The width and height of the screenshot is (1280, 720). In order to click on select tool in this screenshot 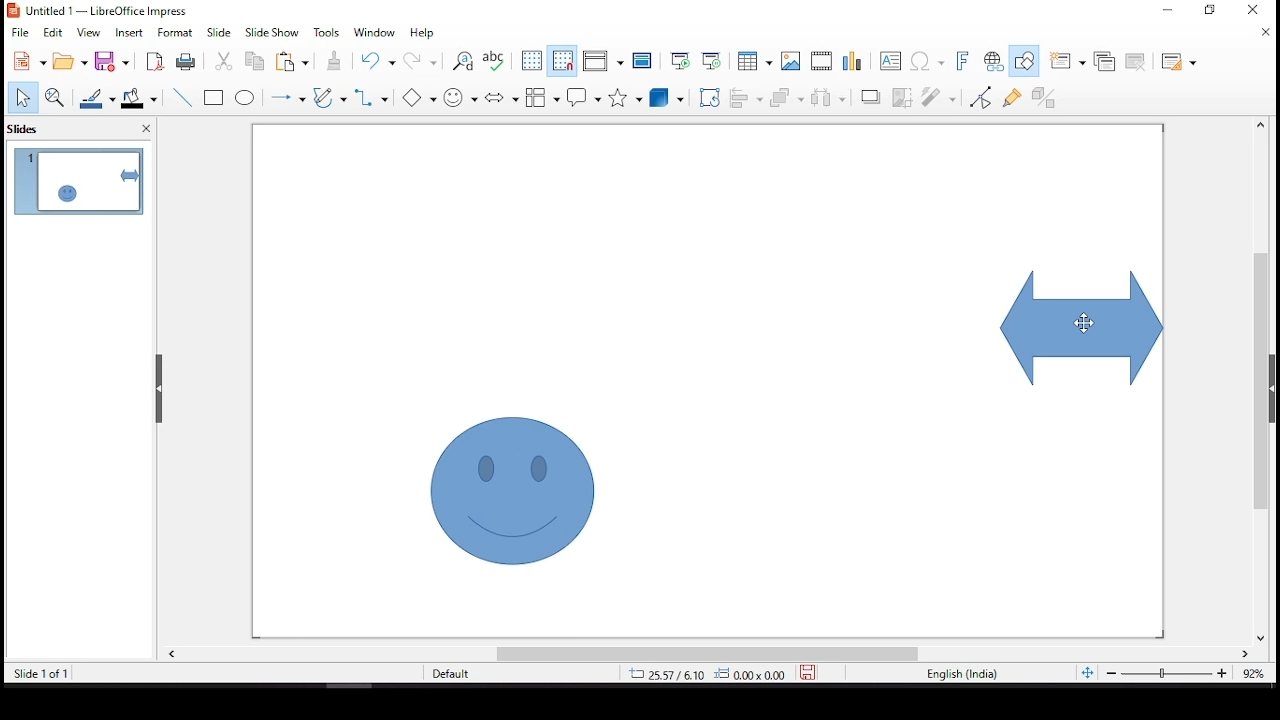, I will do `click(22, 99)`.